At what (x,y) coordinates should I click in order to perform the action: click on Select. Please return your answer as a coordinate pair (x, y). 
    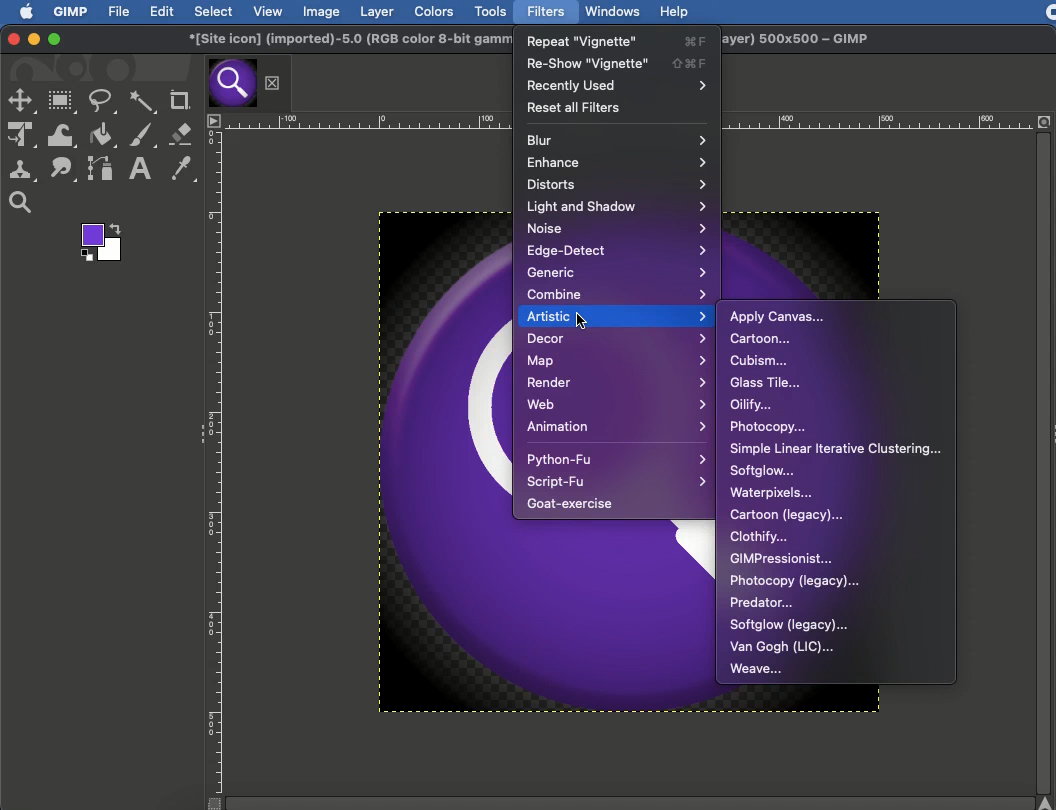
    Looking at the image, I should click on (212, 11).